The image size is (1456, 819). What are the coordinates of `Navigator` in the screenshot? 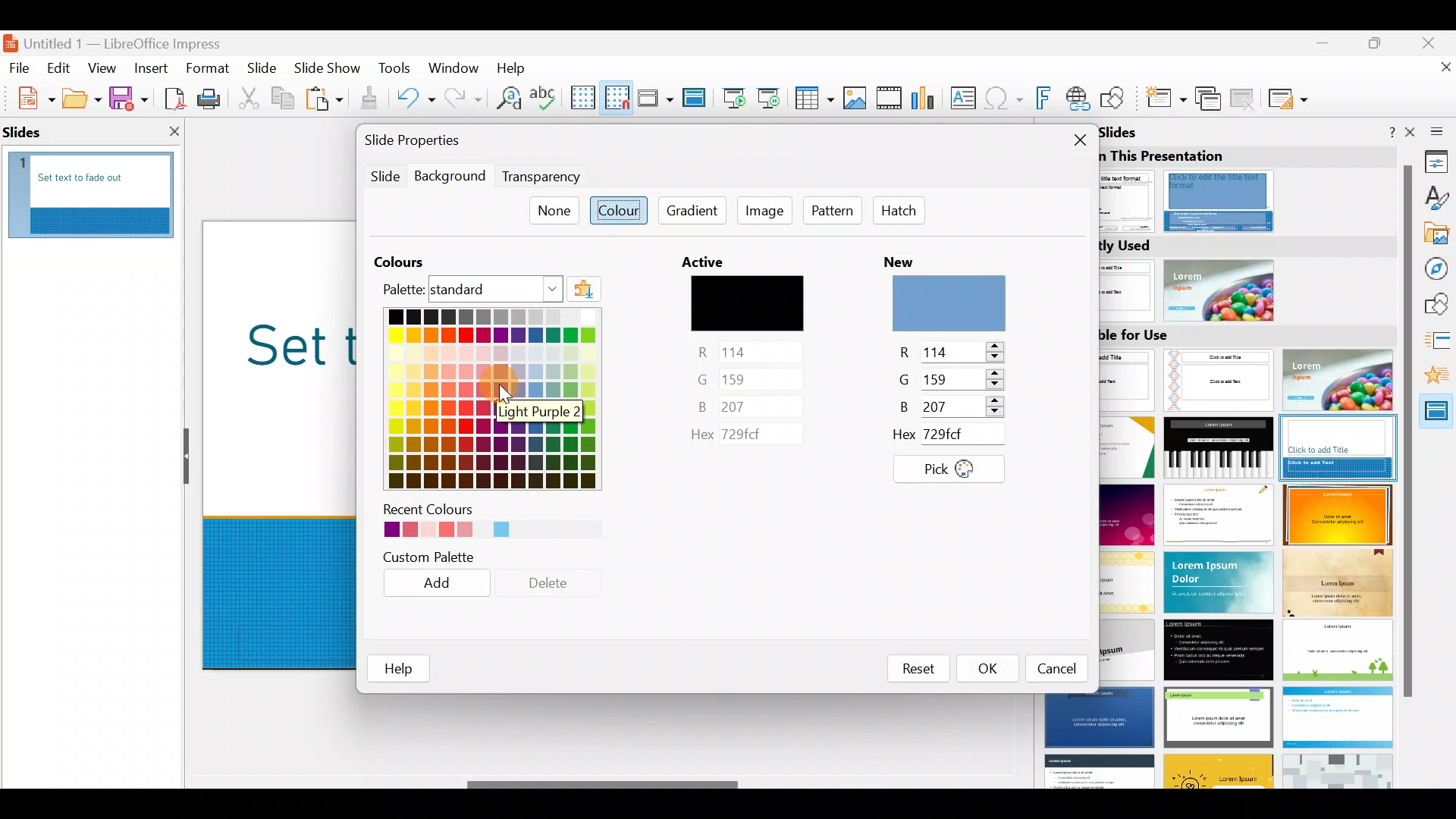 It's located at (1439, 269).